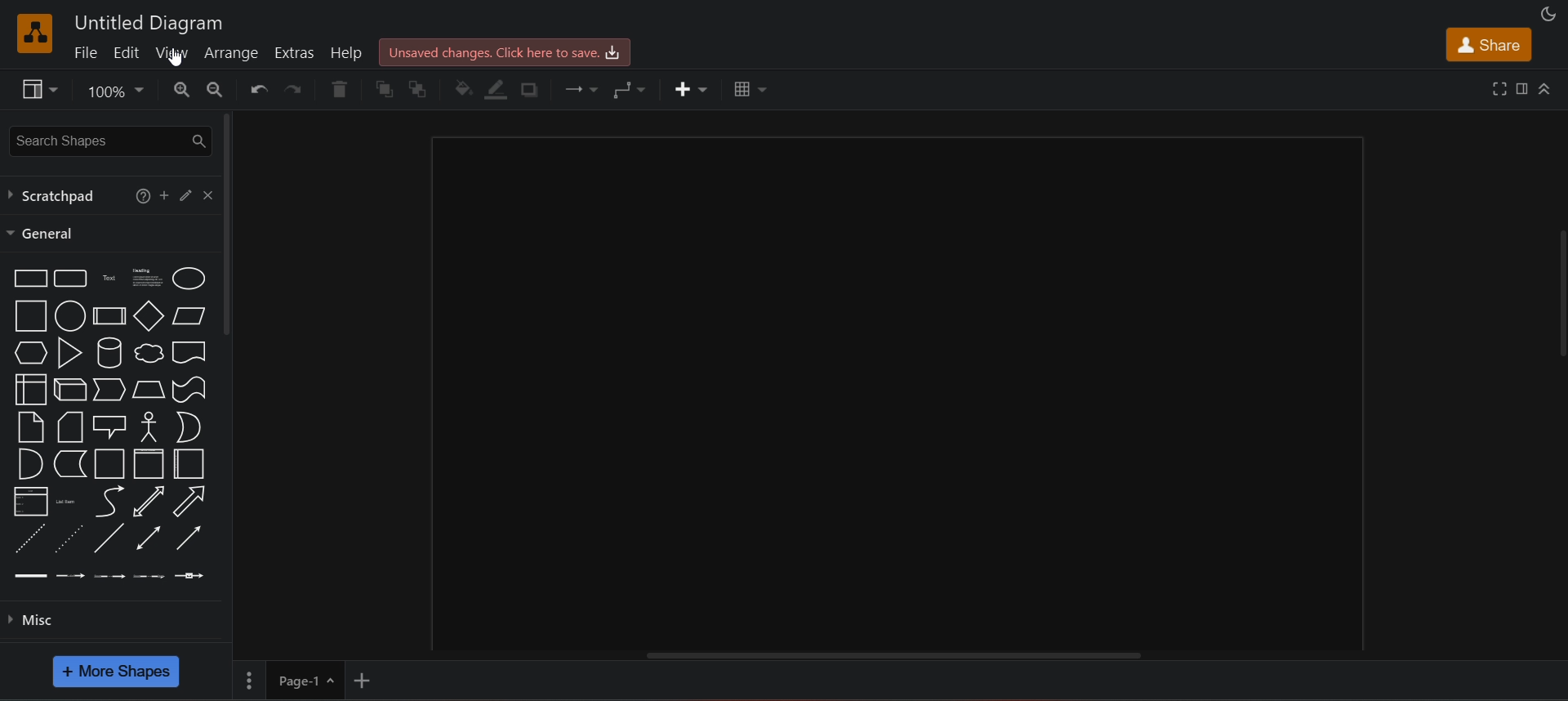 This screenshot has width=1568, height=701. Describe the element at coordinates (70, 277) in the screenshot. I see `rounded rectangle` at that location.